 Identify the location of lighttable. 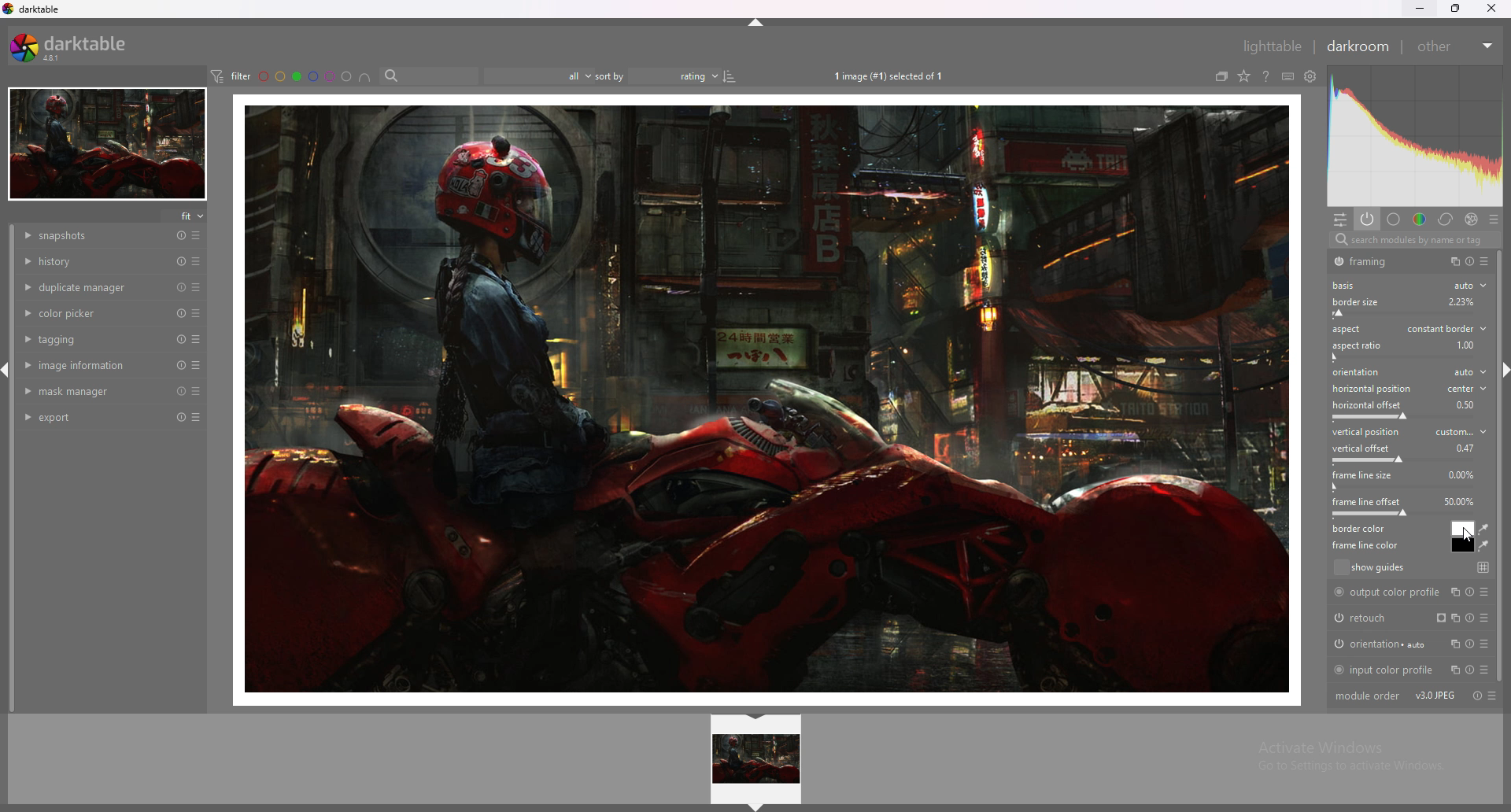
(1264, 46).